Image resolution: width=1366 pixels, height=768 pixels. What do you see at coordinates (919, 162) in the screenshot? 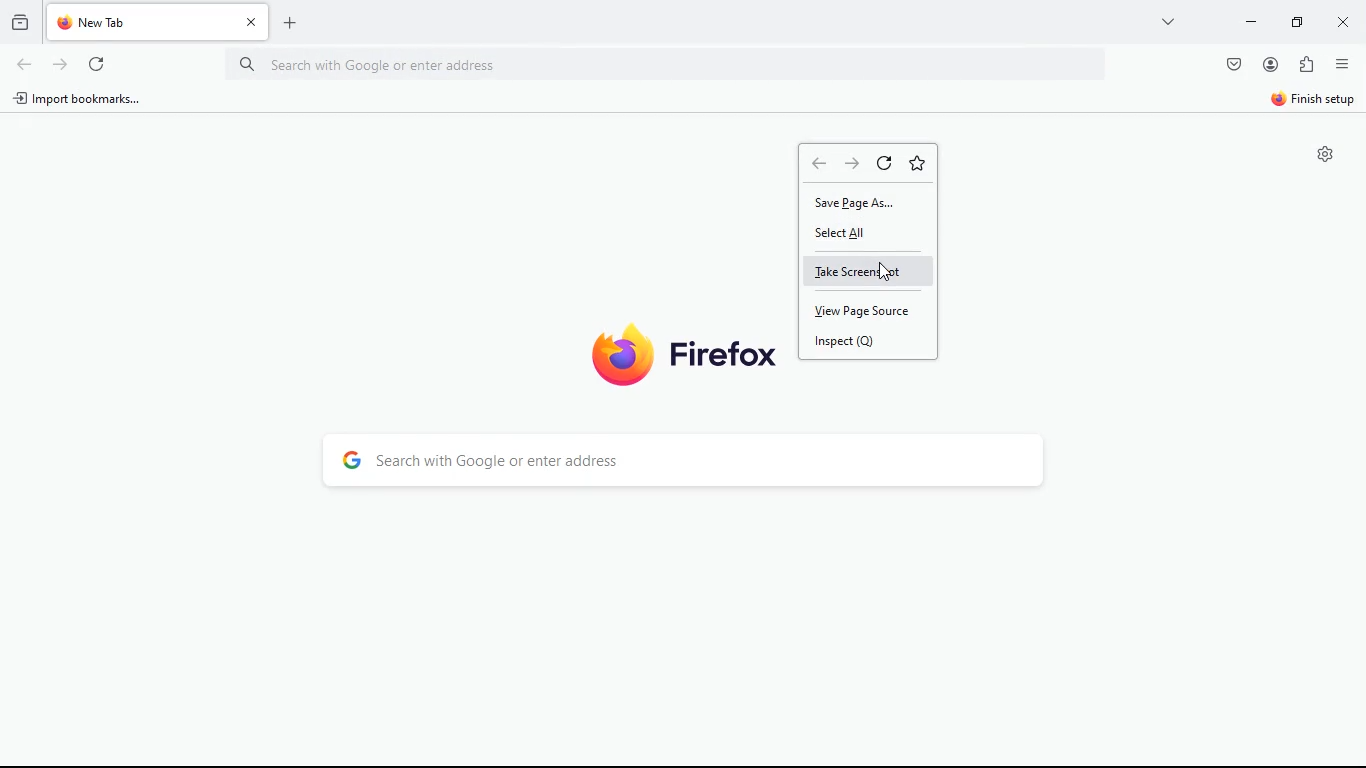
I see `favorite` at bounding box center [919, 162].